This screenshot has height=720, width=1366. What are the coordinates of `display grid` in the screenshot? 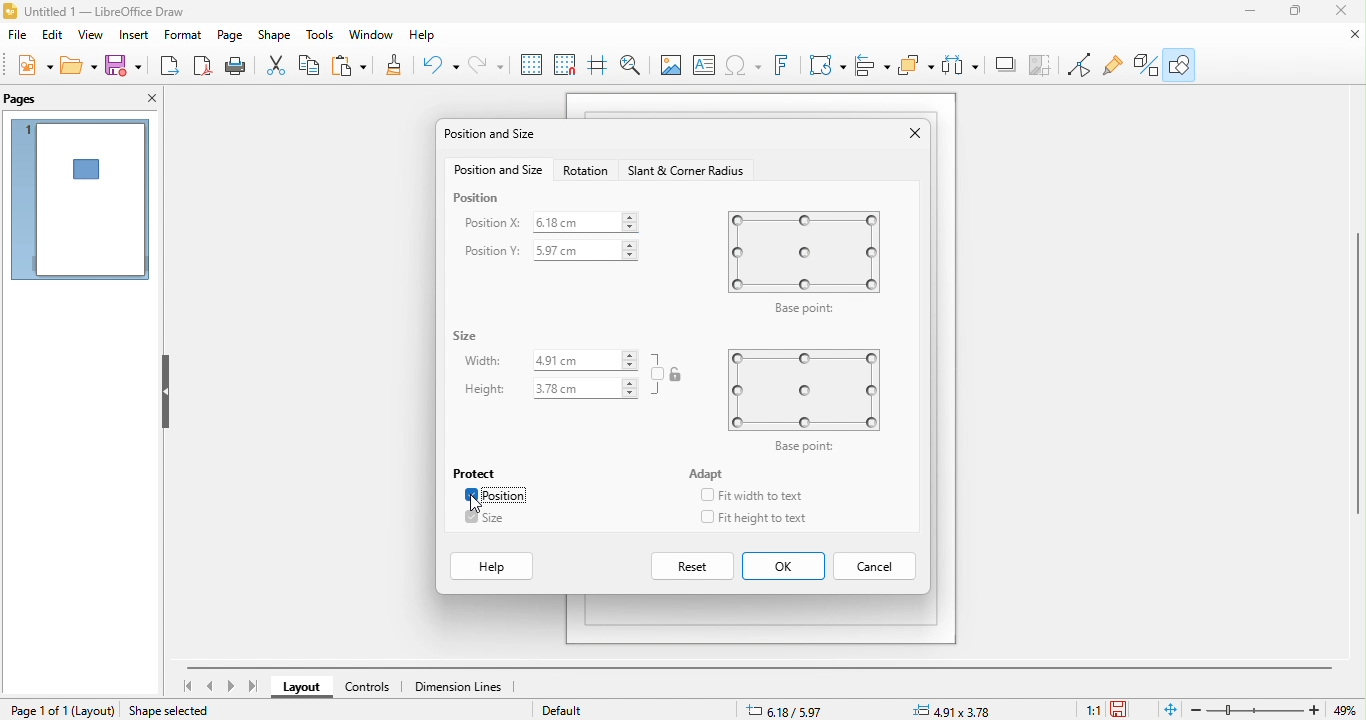 It's located at (532, 65).